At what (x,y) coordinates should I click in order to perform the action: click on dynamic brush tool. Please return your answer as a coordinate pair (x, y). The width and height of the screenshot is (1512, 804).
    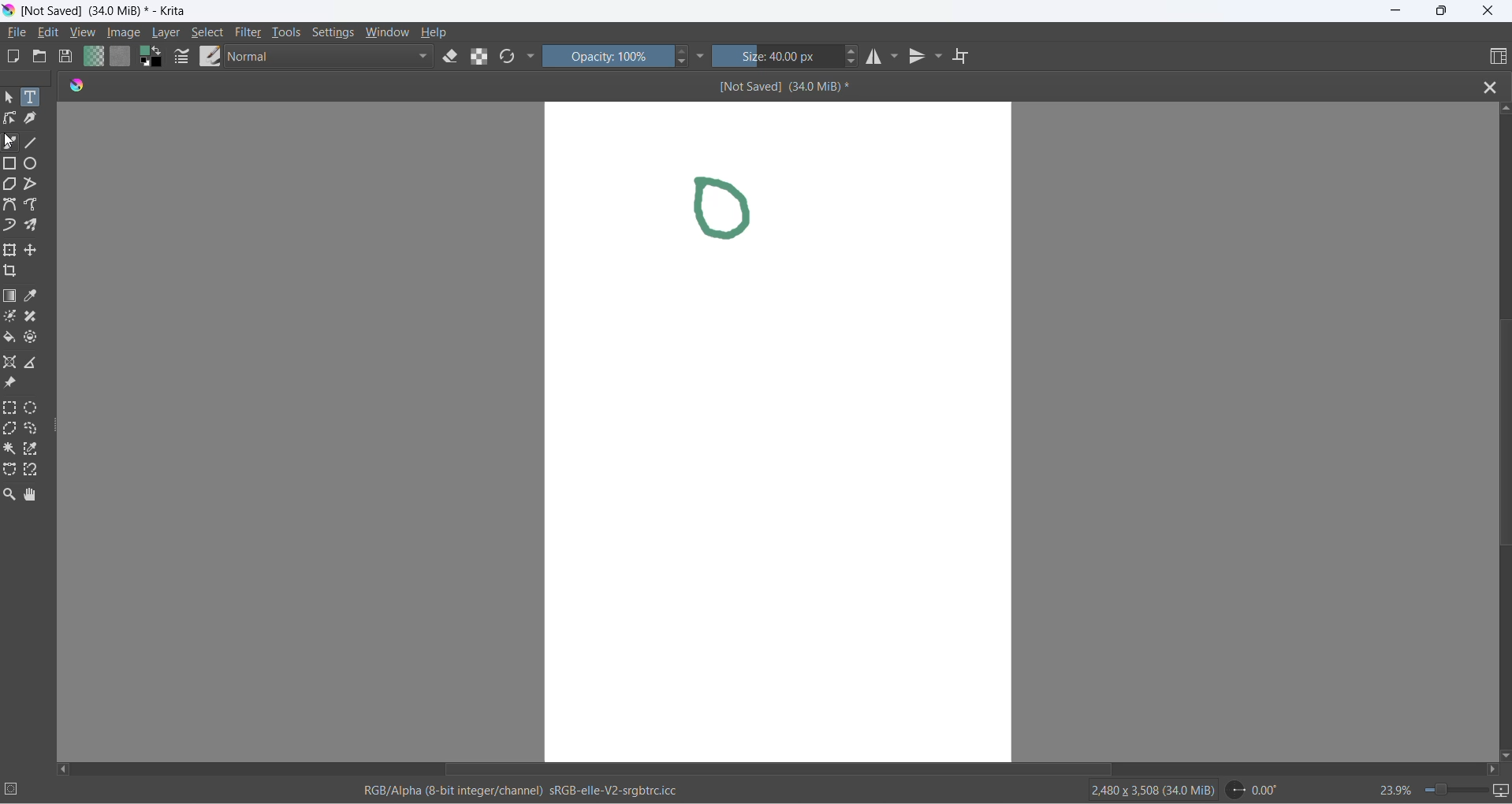
    Looking at the image, I should click on (13, 225).